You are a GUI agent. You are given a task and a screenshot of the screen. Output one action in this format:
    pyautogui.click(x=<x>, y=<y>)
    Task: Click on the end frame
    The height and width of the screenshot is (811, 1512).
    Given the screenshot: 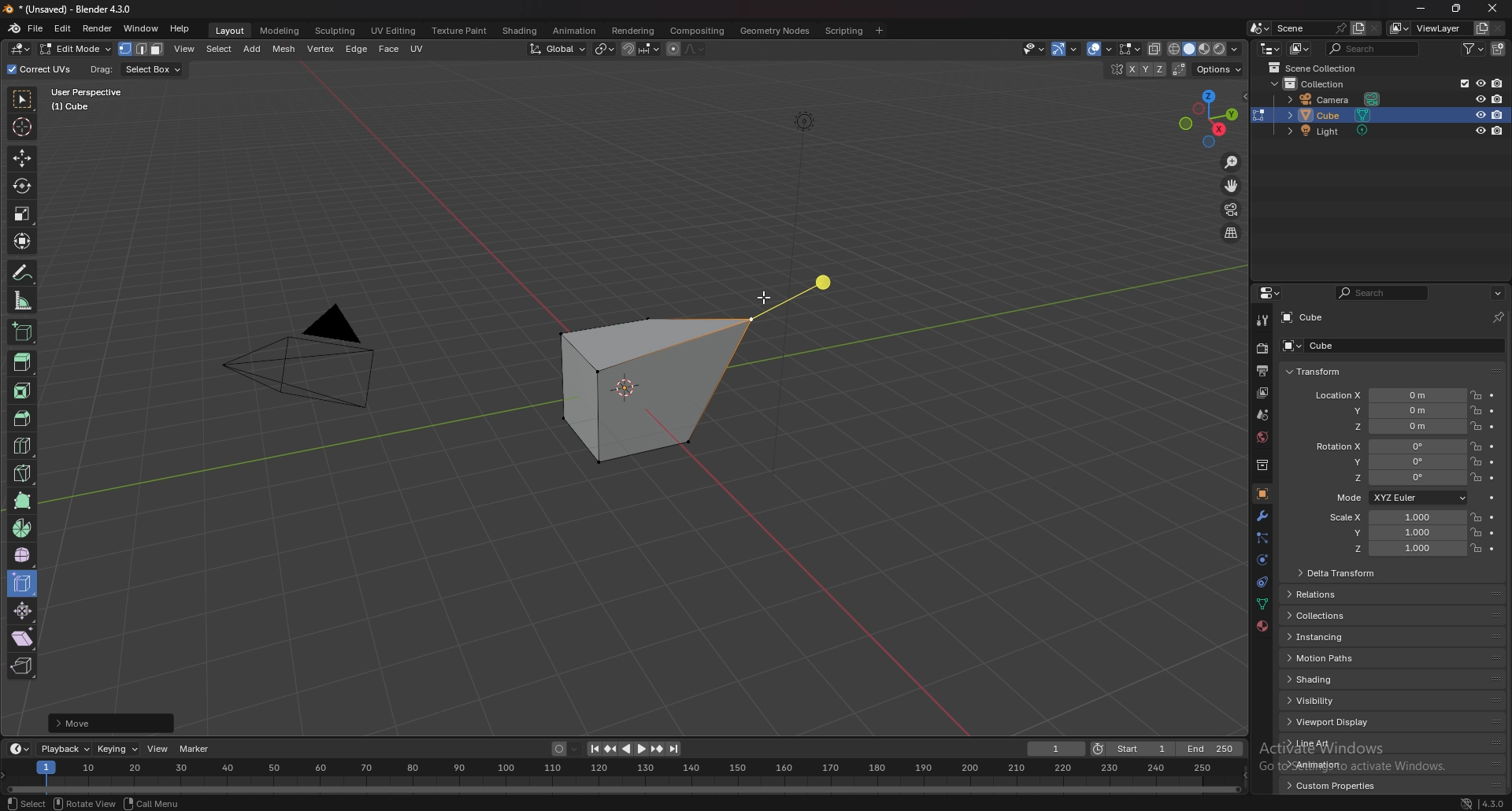 What is the action you would take?
    pyautogui.click(x=1211, y=749)
    